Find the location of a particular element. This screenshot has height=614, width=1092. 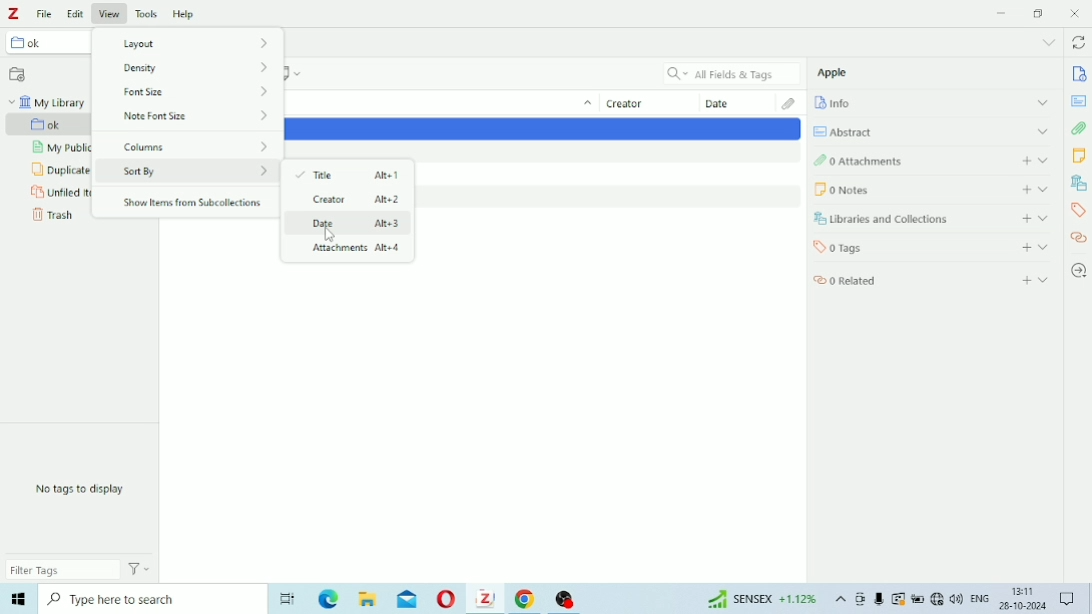

ENG is located at coordinates (979, 600).